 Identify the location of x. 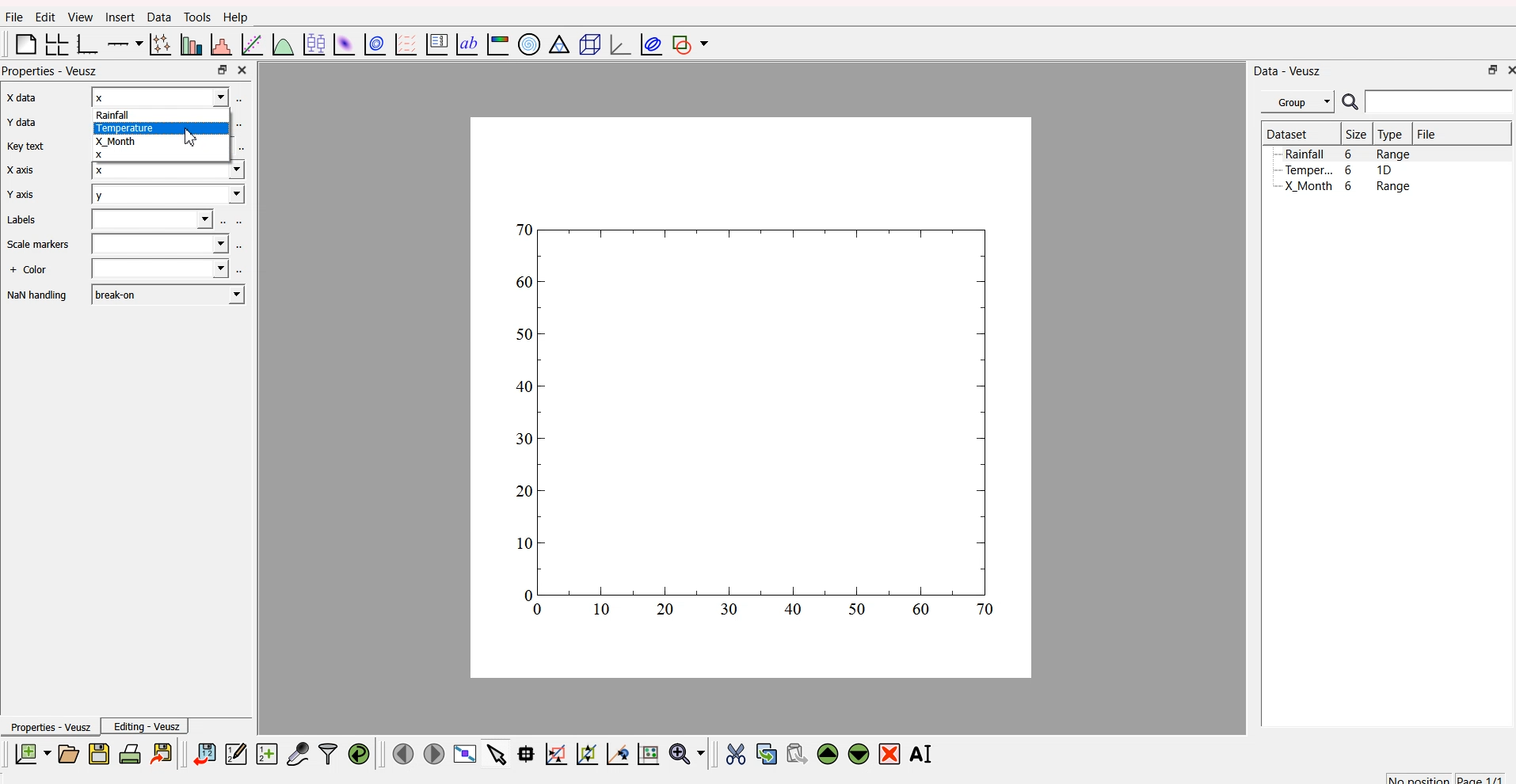
(162, 97).